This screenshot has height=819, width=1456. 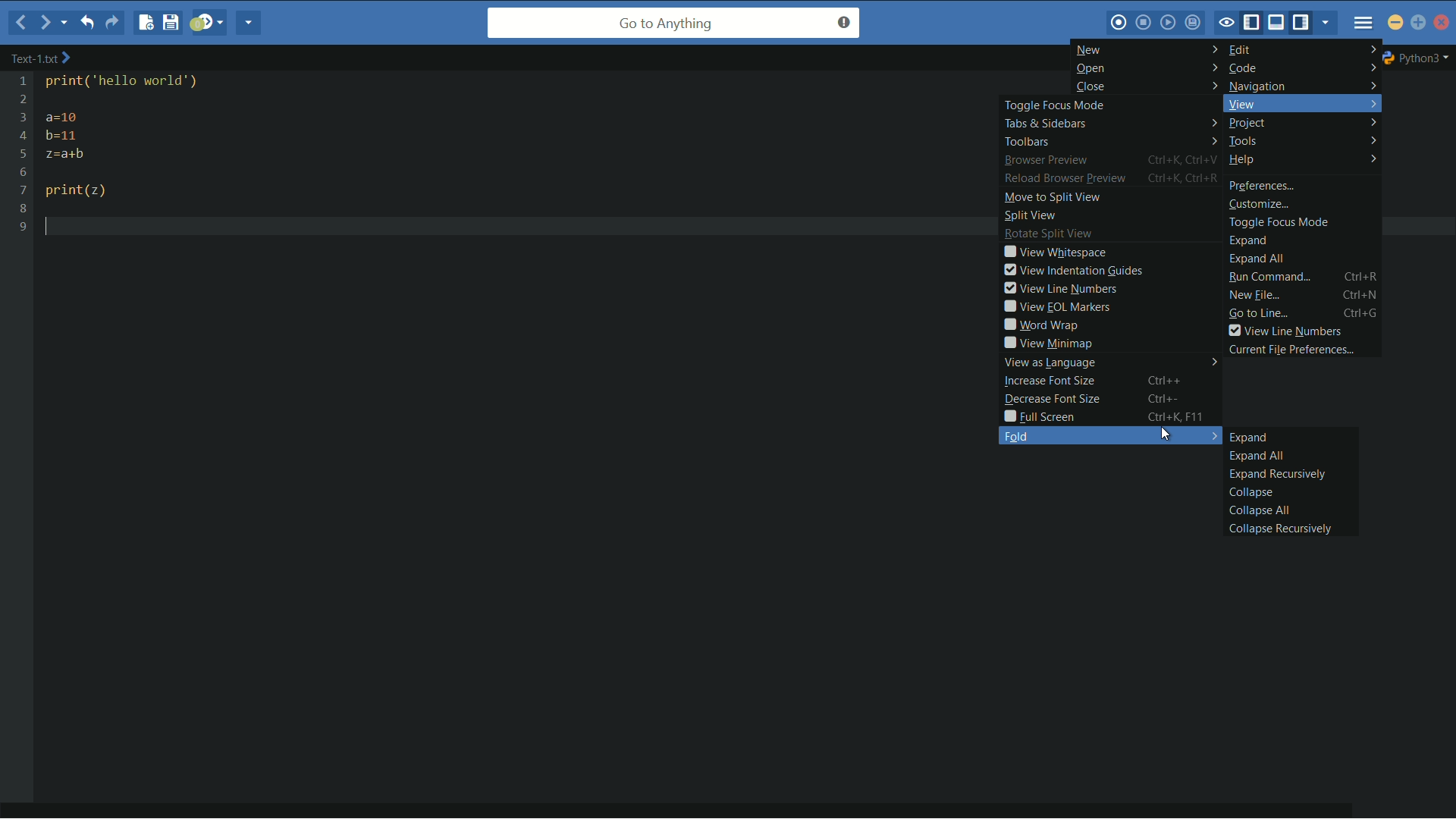 What do you see at coordinates (1300, 105) in the screenshot?
I see `view` at bounding box center [1300, 105].